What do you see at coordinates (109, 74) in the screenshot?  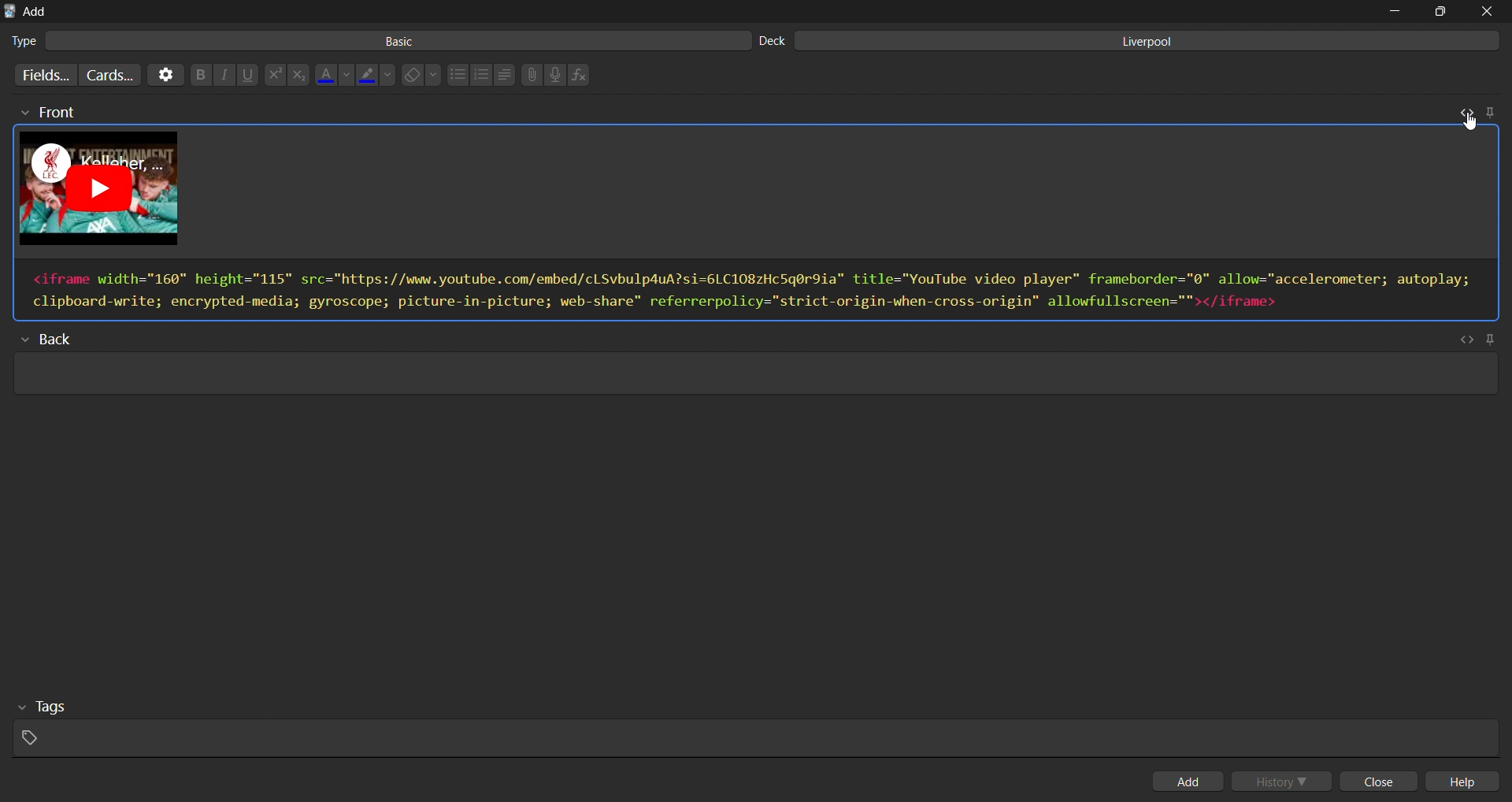 I see `customize card templates` at bounding box center [109, 74].